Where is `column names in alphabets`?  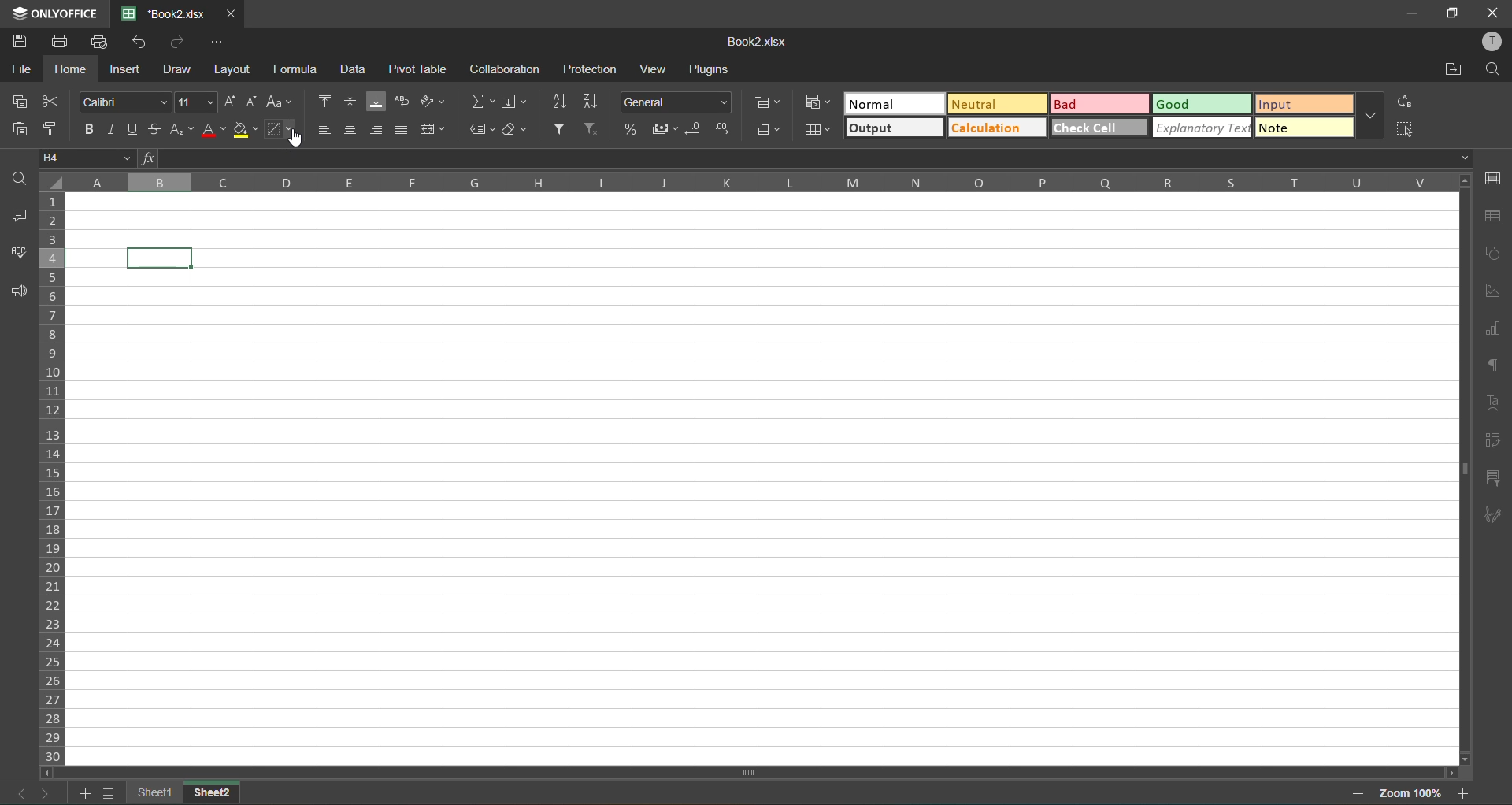 column names in alphabets is located at coordinates (760, 184).